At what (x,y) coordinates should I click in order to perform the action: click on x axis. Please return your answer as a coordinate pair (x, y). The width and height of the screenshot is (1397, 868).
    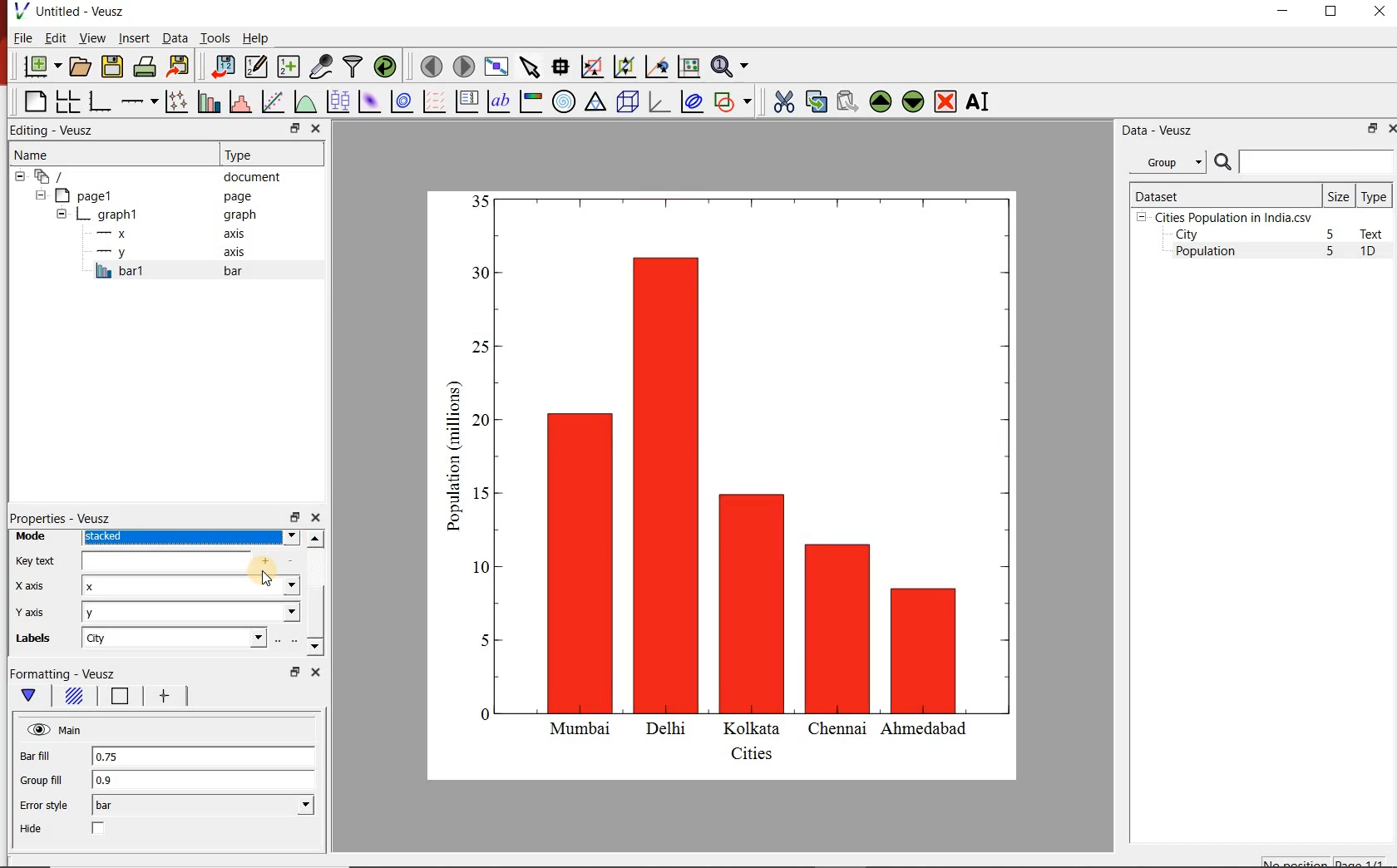
    Looking at the image, I should click on (35, 587).